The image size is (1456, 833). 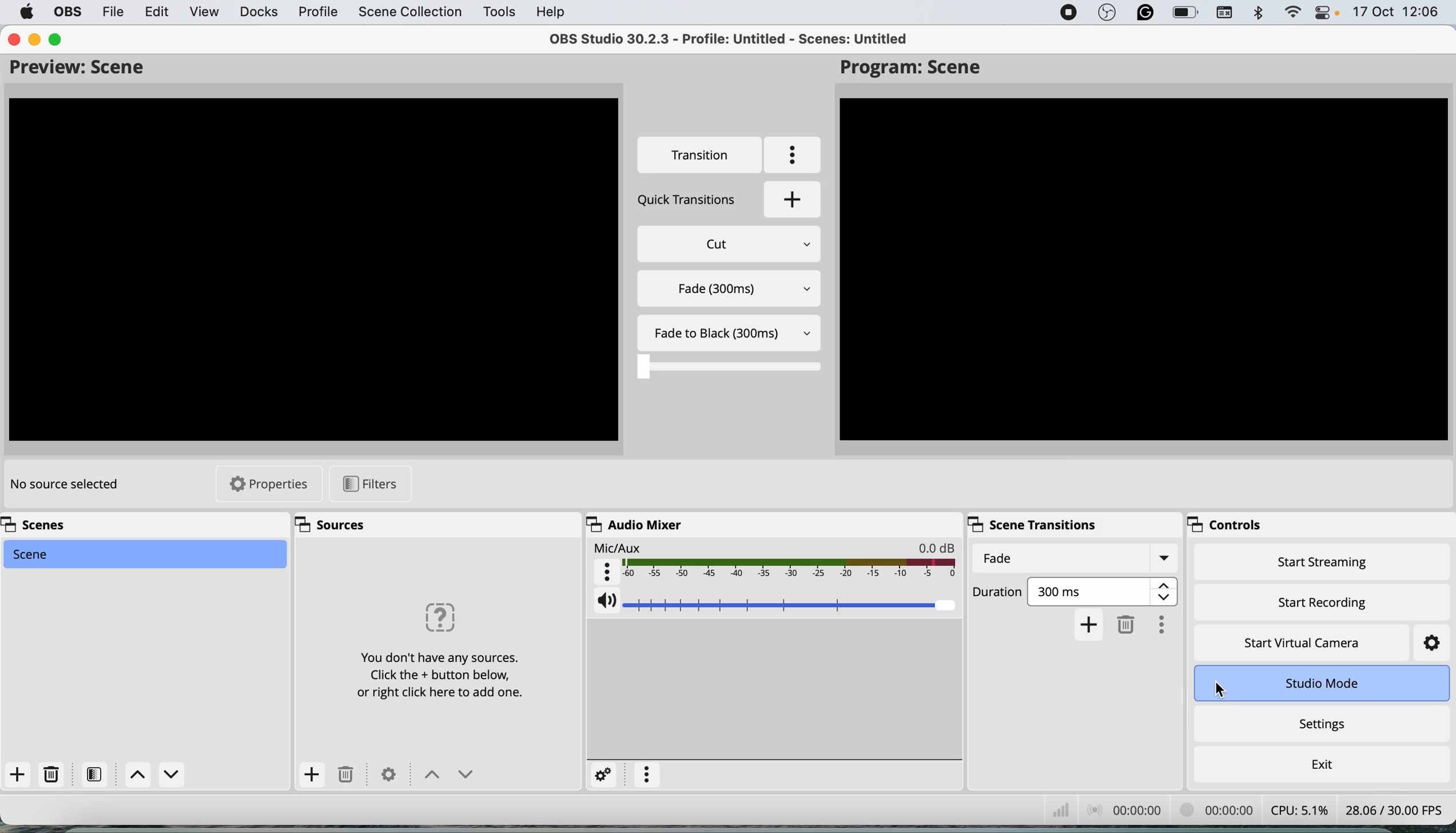 What do you see at coordinates (1303, 645) in the screenshot?
I see `start virtual camera` at bounding box center [1303, 645].